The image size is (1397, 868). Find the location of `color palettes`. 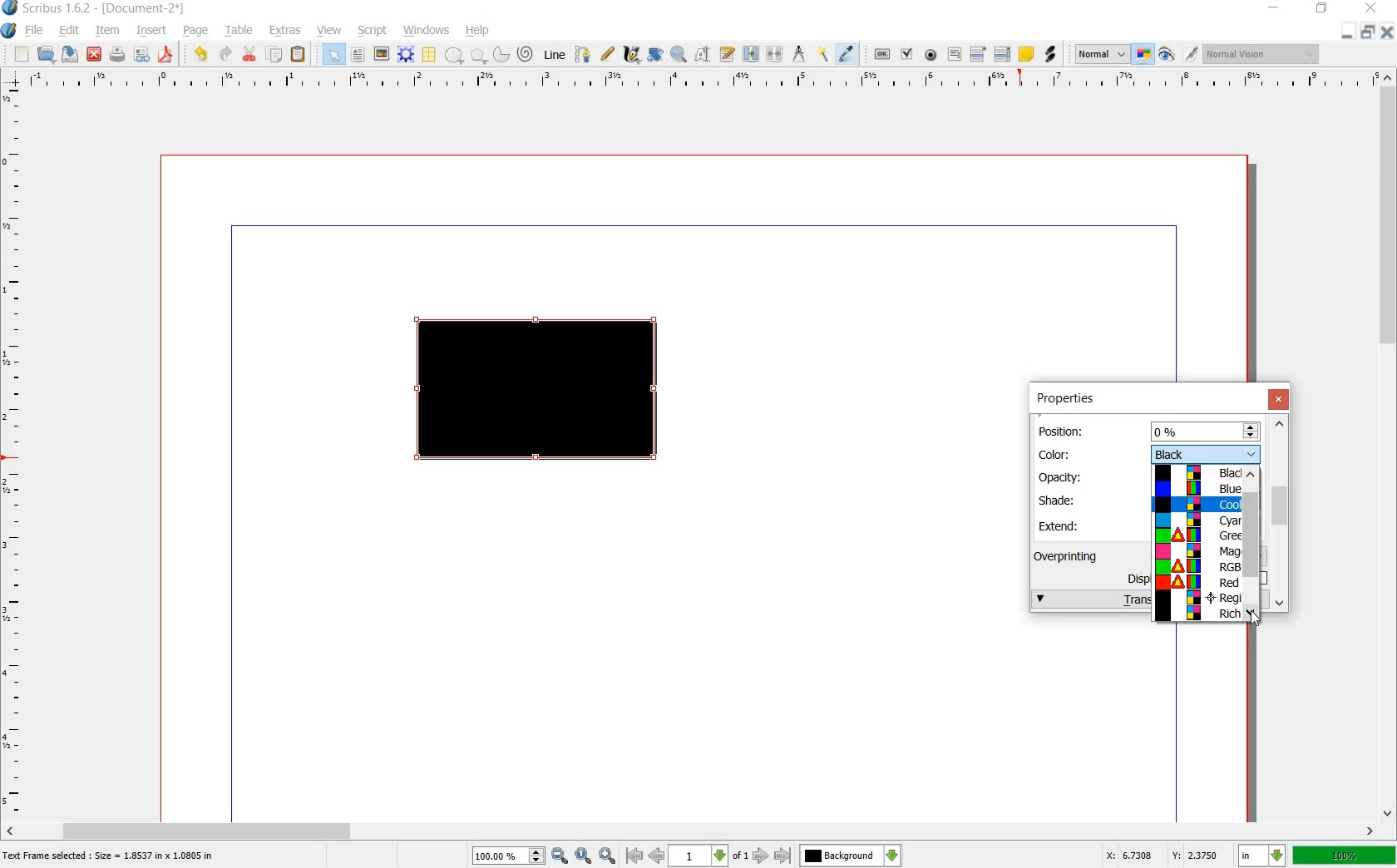

color palettes is located at coordinates (1197, 545).